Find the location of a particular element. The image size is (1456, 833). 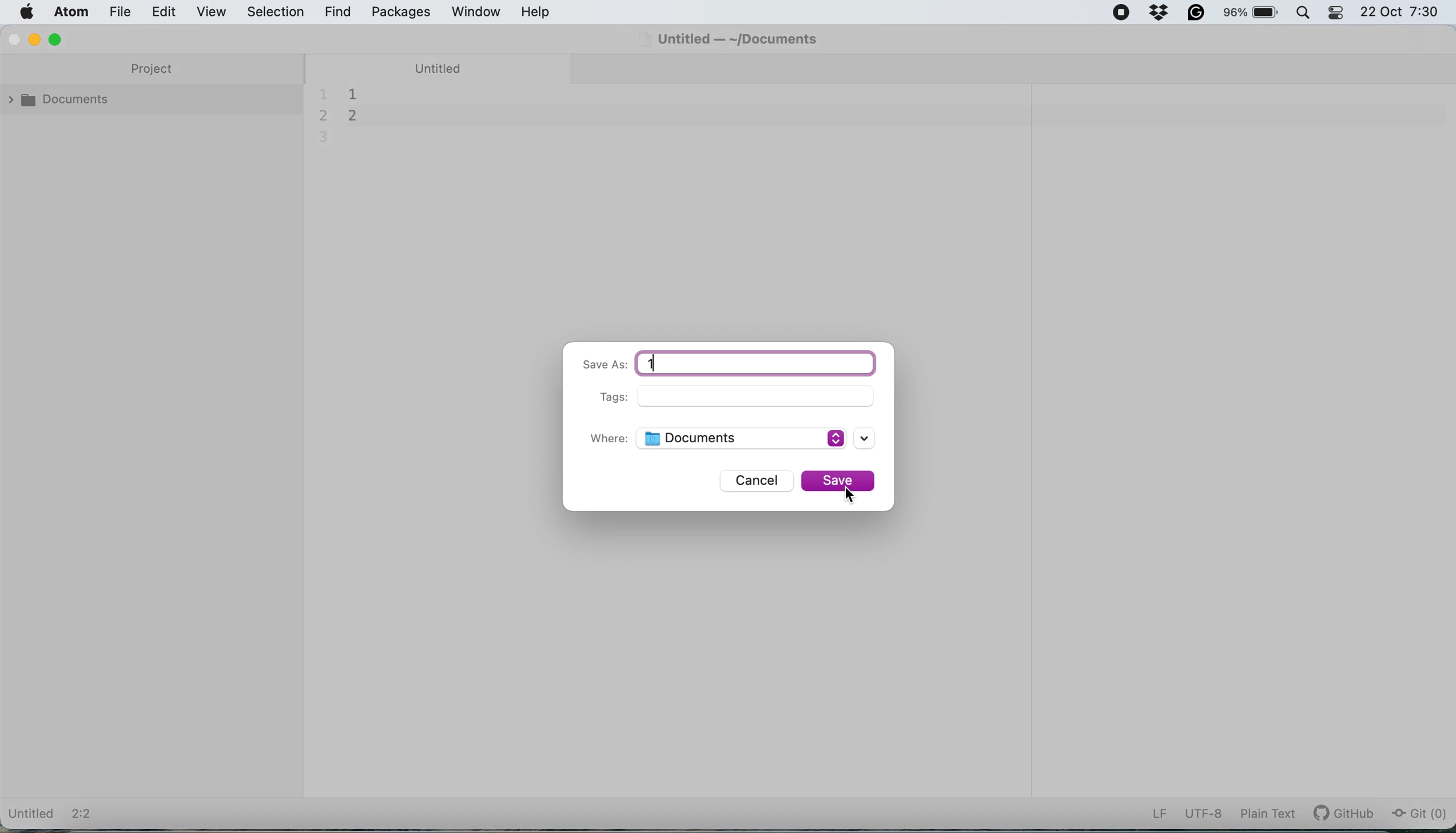

edit is located at coordinates (170, 12).